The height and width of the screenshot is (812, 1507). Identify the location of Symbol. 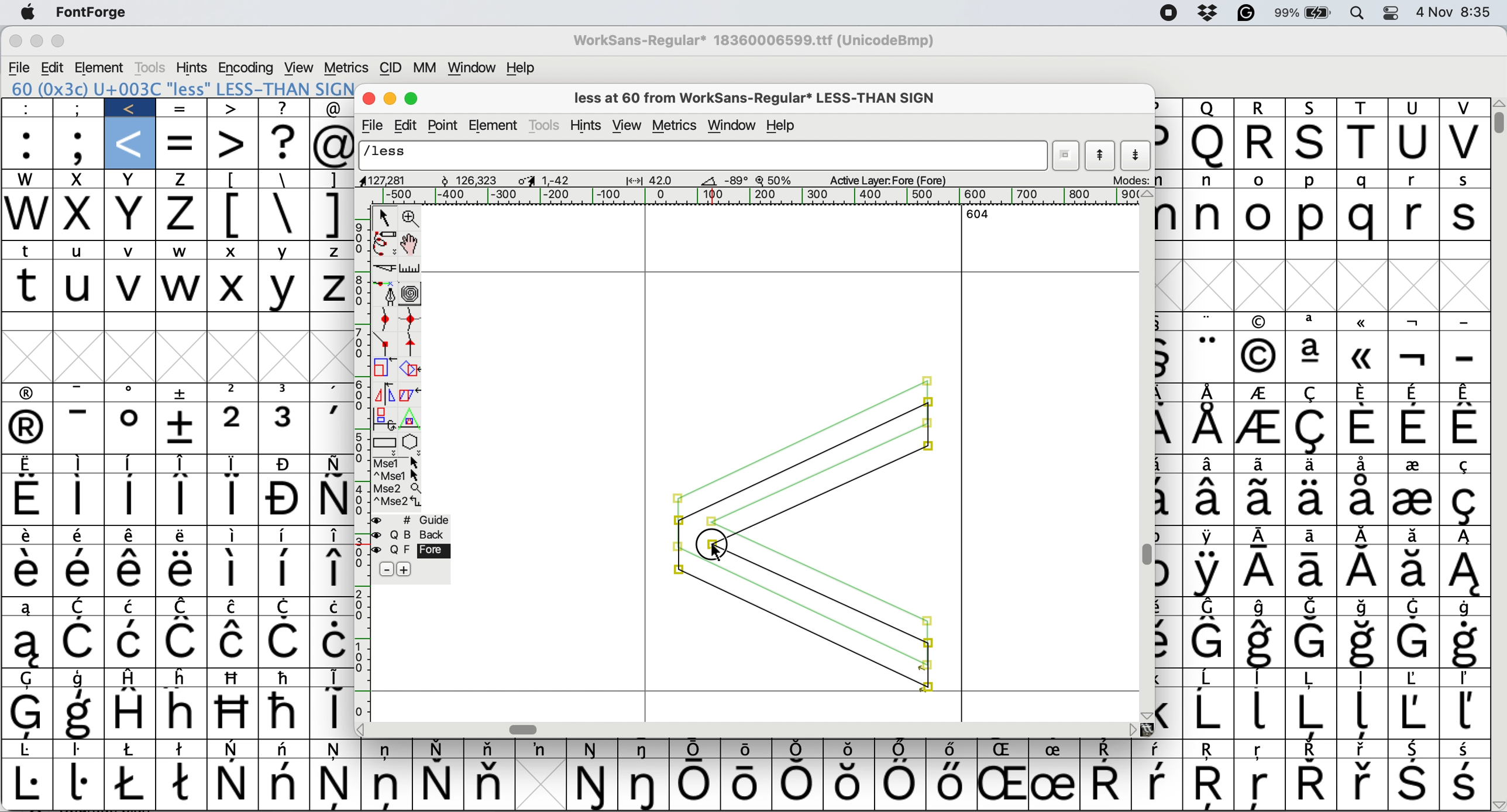
(902, 749).